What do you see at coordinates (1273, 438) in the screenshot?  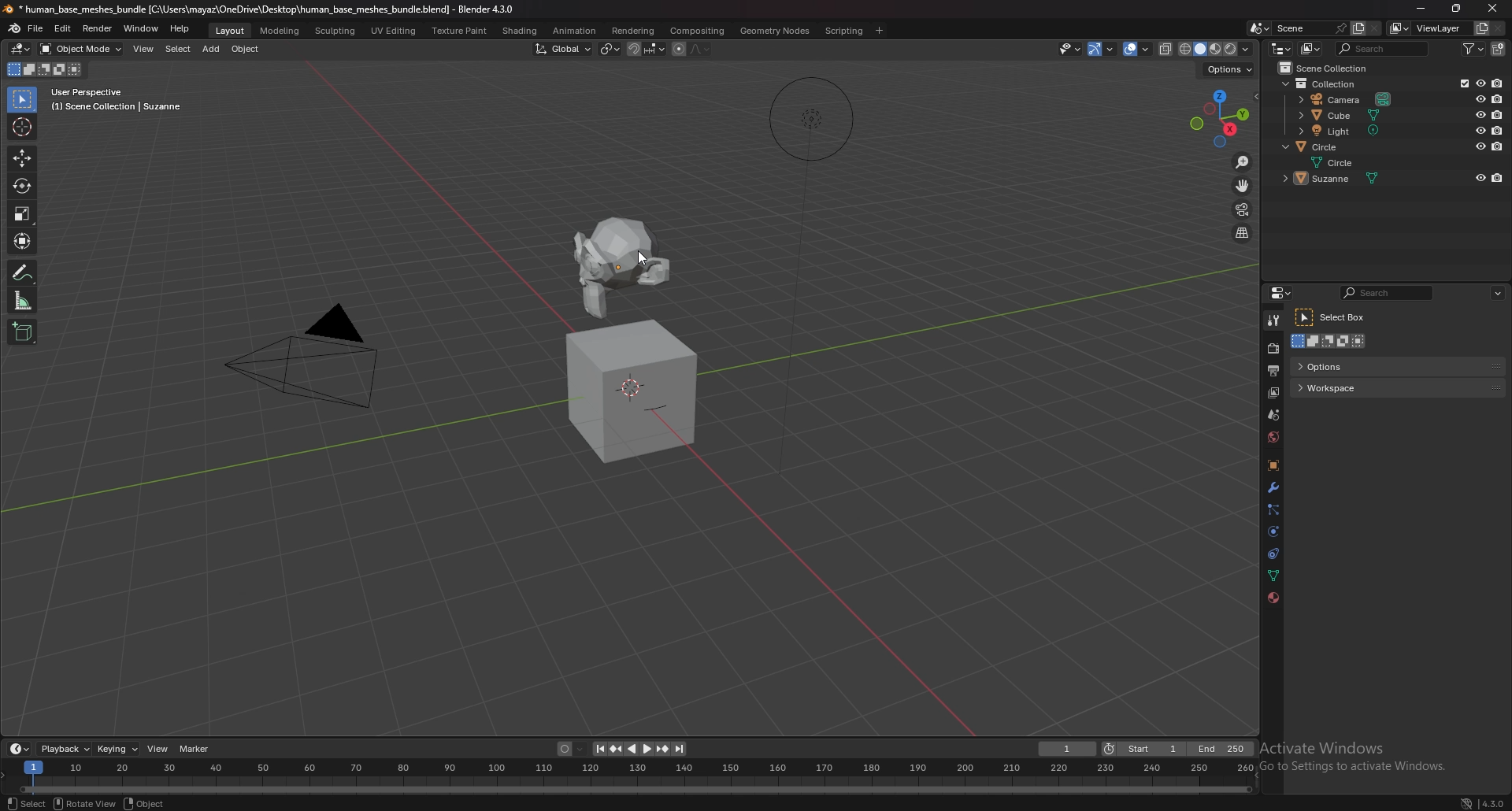 I see `world` at bounding box center [1273, 438].